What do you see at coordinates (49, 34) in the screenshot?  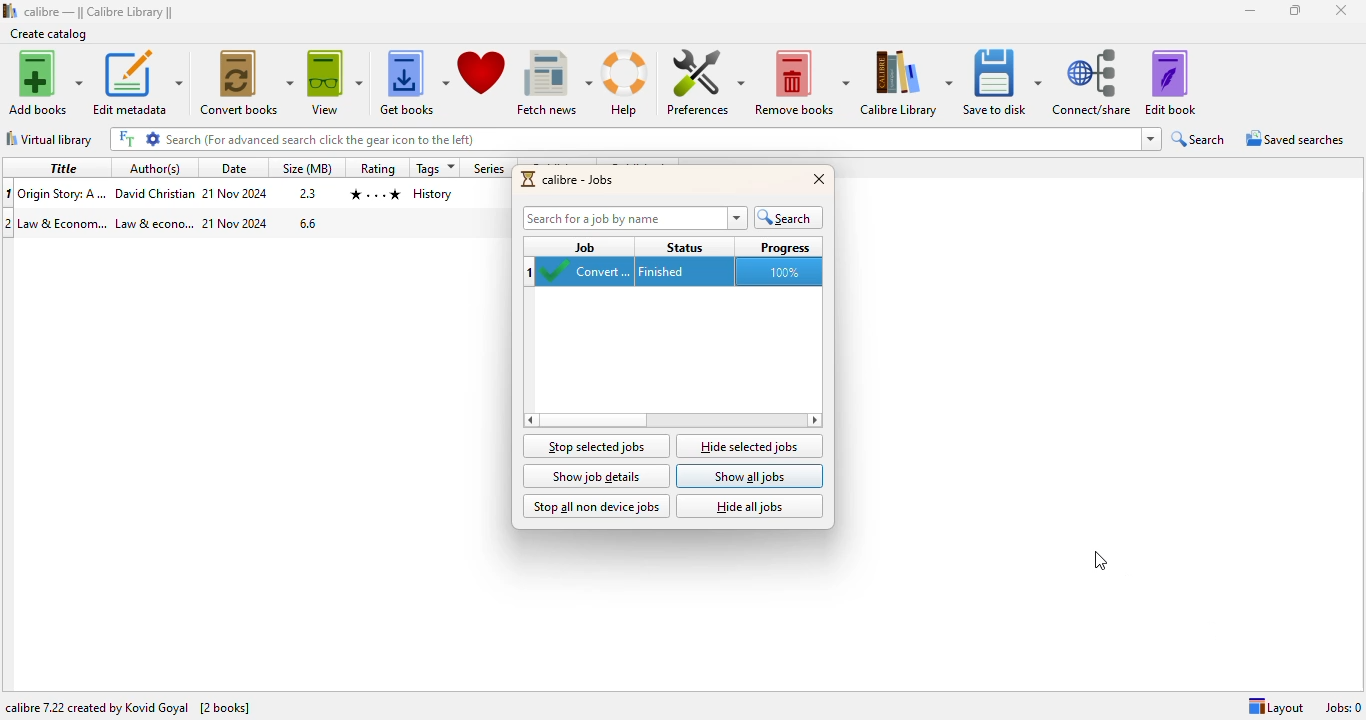 I see `create catalog` at bounding box center [49, 34].